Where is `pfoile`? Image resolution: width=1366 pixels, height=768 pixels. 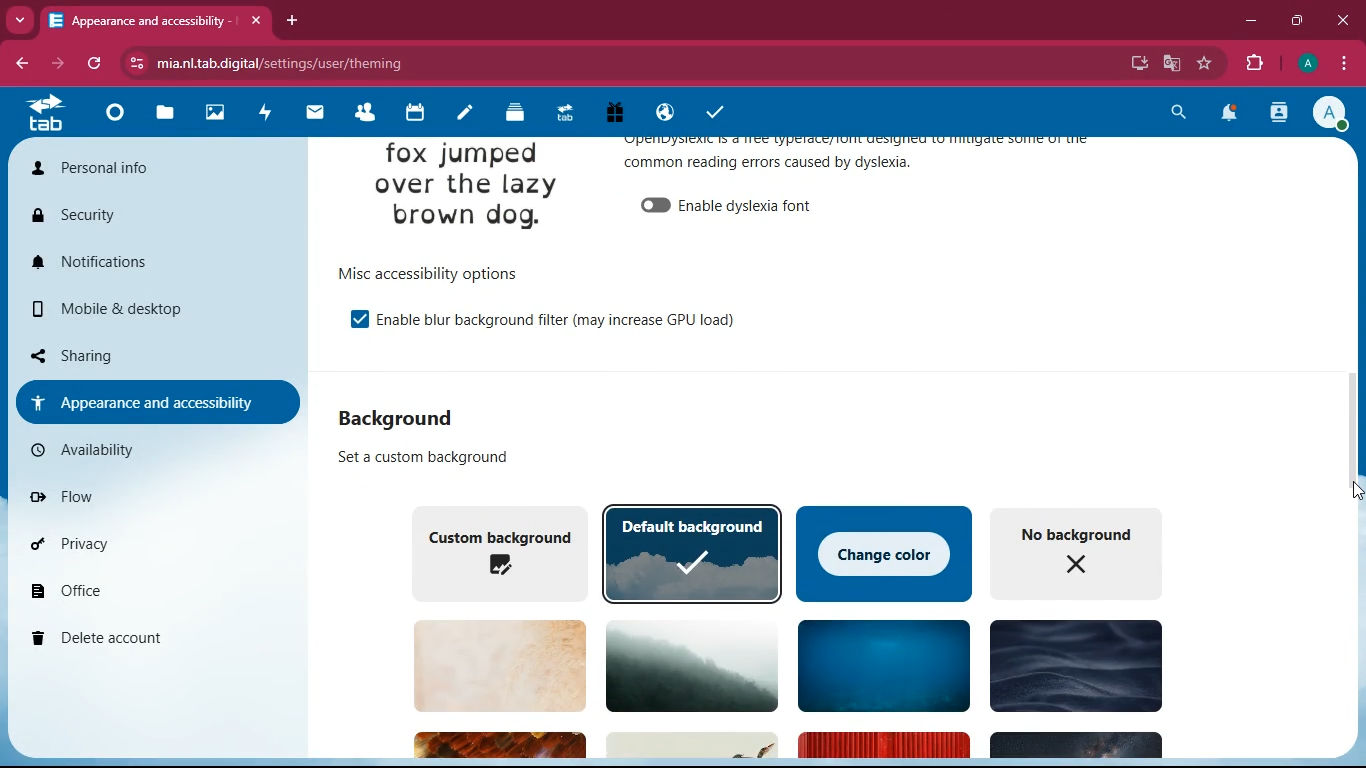 pfoile is located at coordinates (1306, 63).